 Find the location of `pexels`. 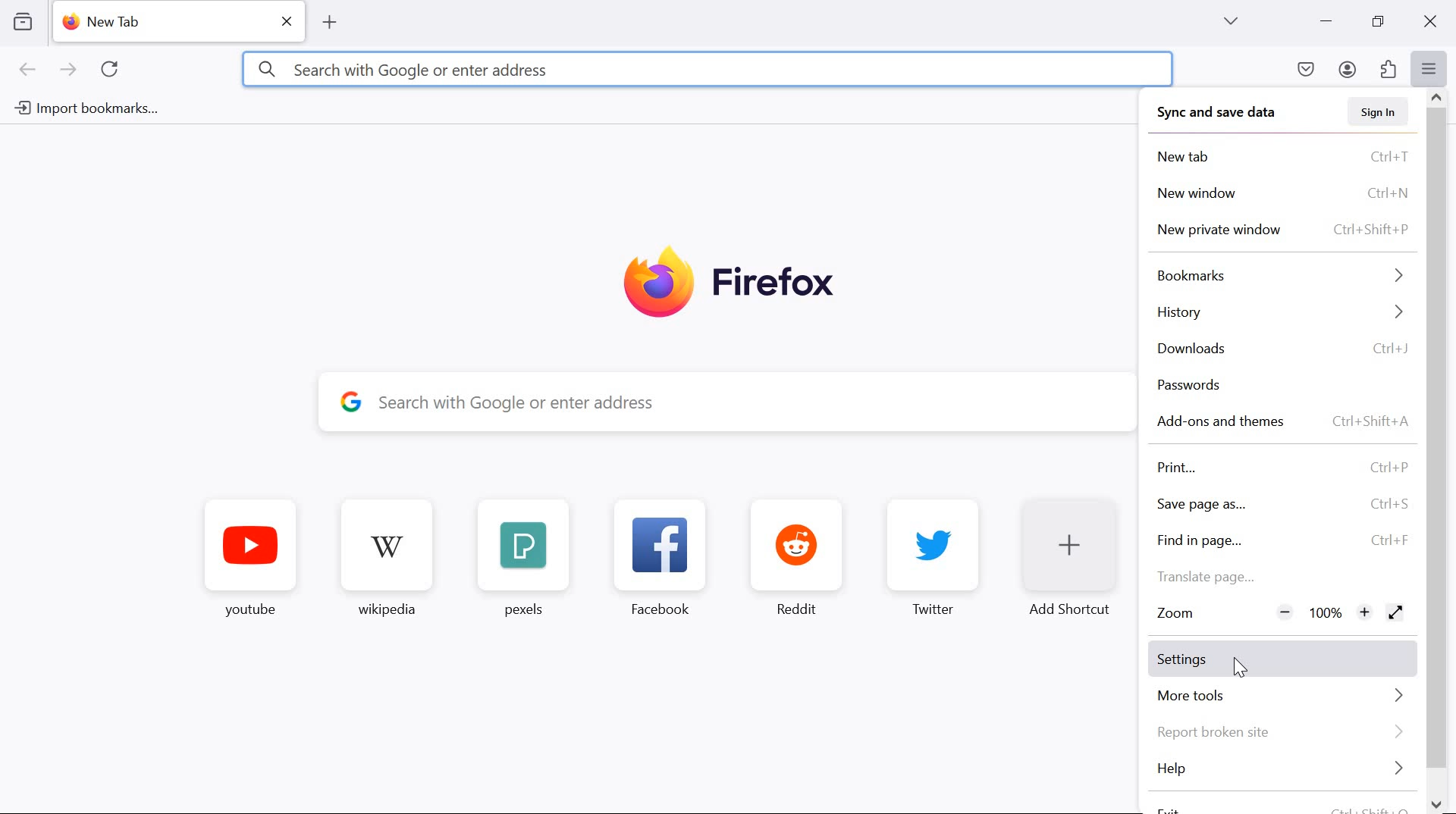

pexels is located at coordinates (520, 554).